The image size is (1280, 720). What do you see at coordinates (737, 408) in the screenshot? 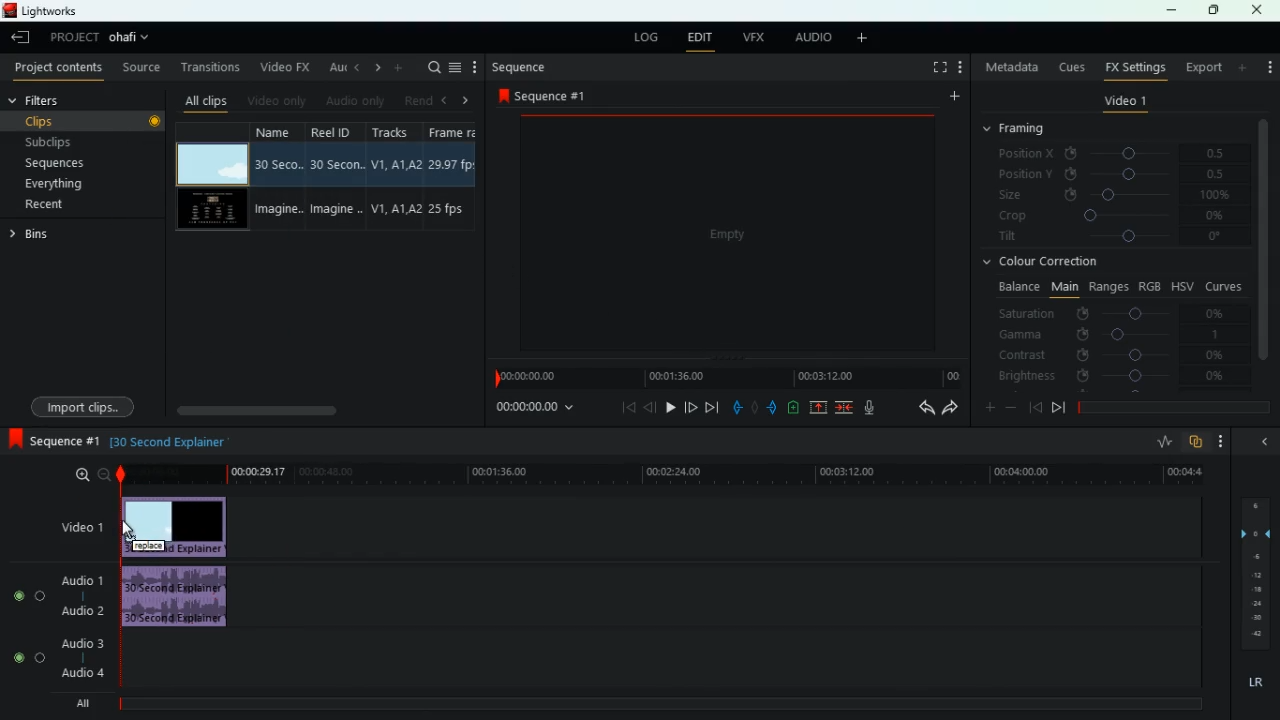
I see `pull` at bounding box center [737, 408].